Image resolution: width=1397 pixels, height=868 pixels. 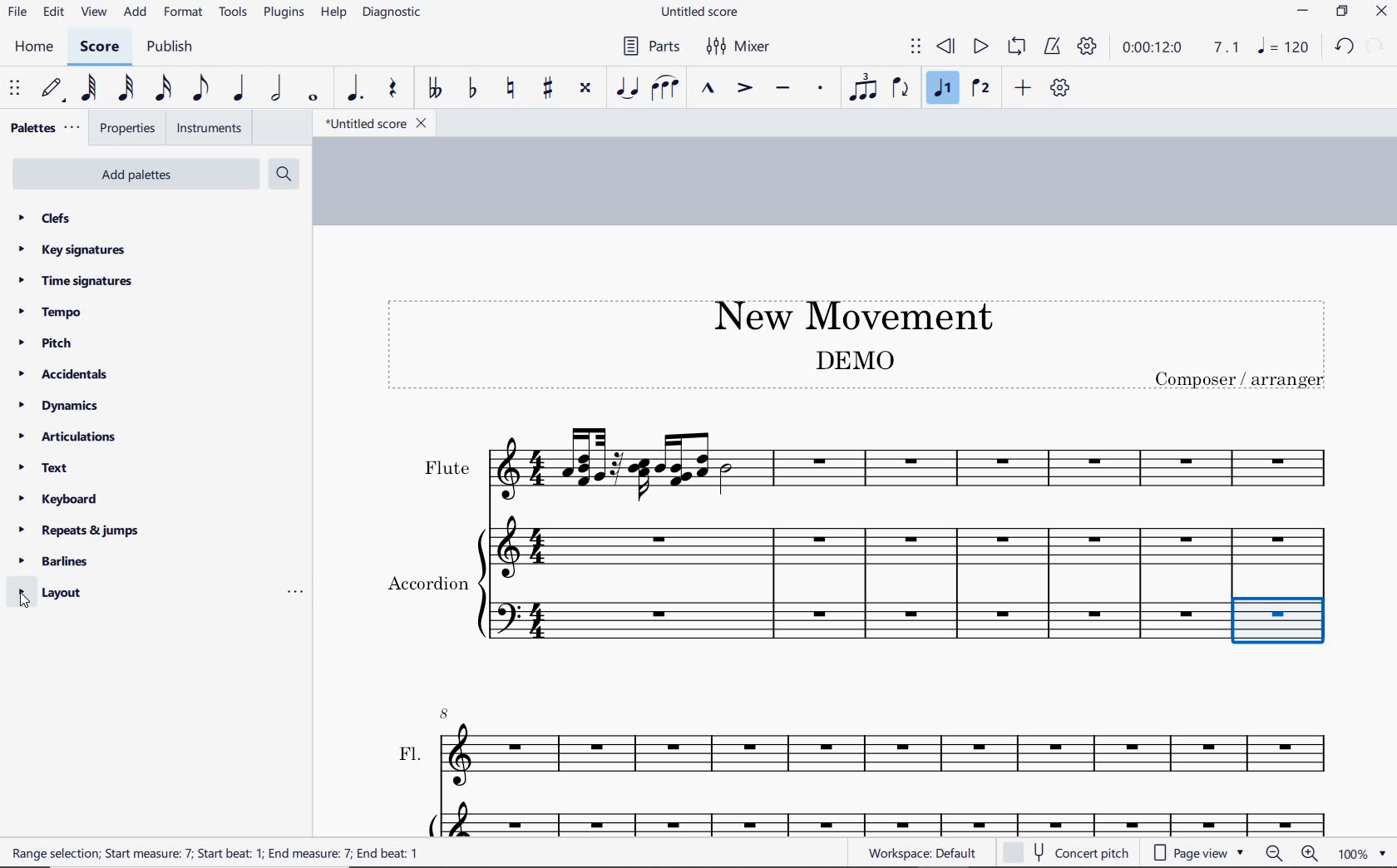 I want to click on add , so click(x=137, y=12).